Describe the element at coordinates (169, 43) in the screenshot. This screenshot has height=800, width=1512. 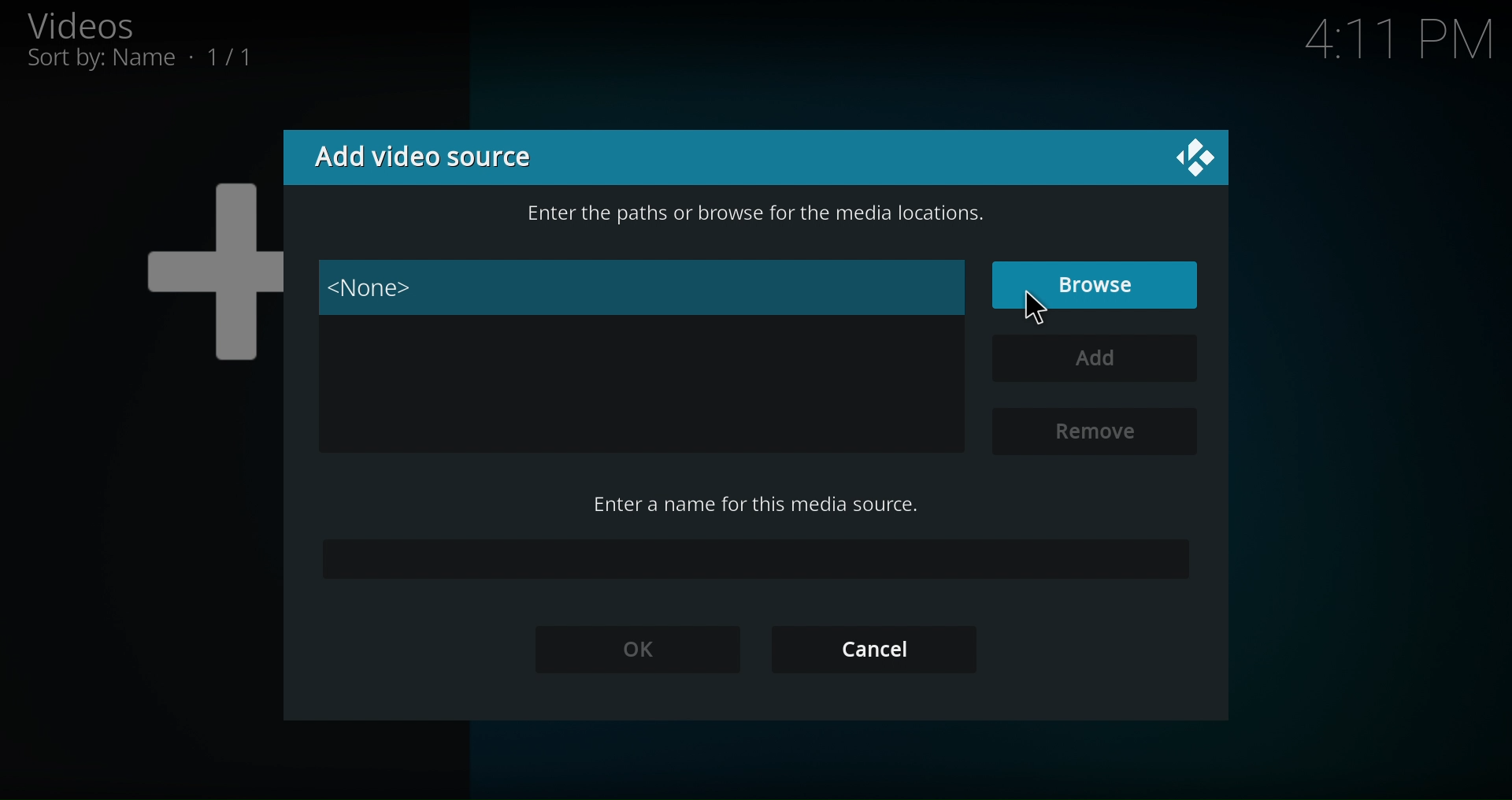
I see `Videos, Sort by: Name • 1/1` at that location.